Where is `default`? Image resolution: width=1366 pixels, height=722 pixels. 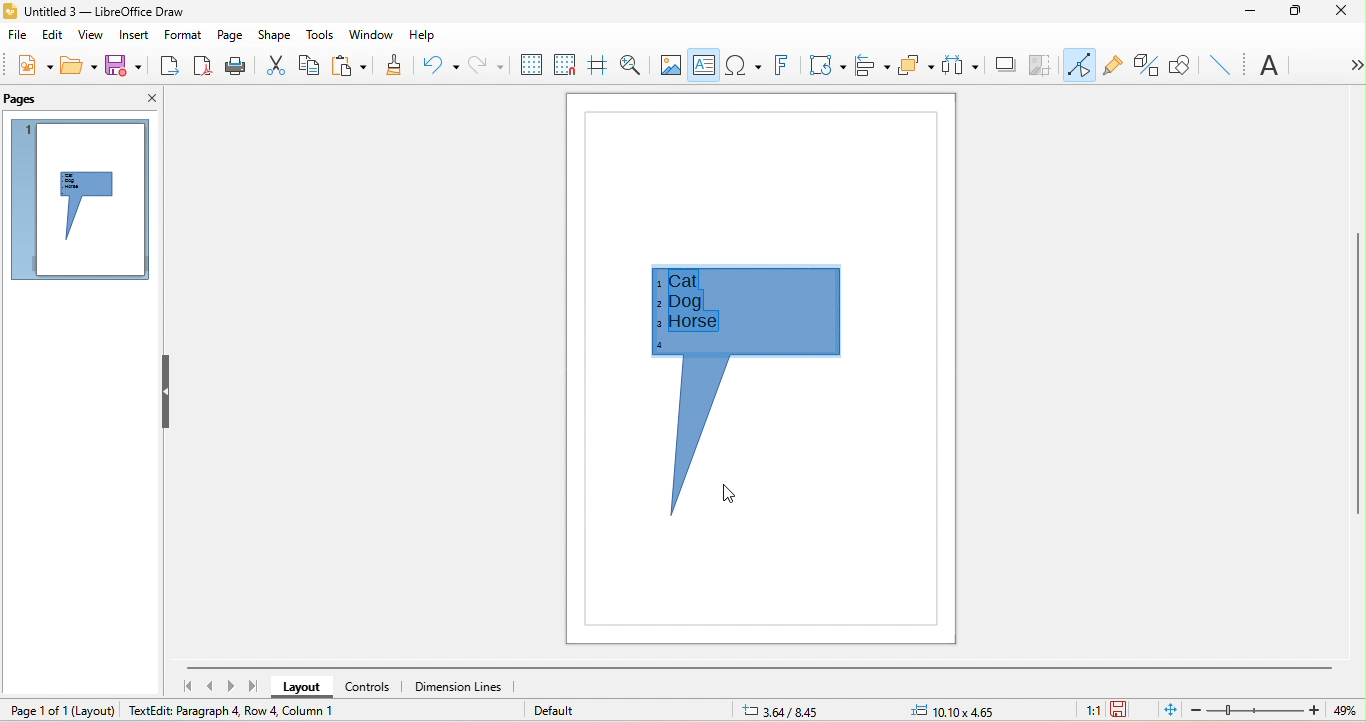 default is located at coordinates (562, 713).